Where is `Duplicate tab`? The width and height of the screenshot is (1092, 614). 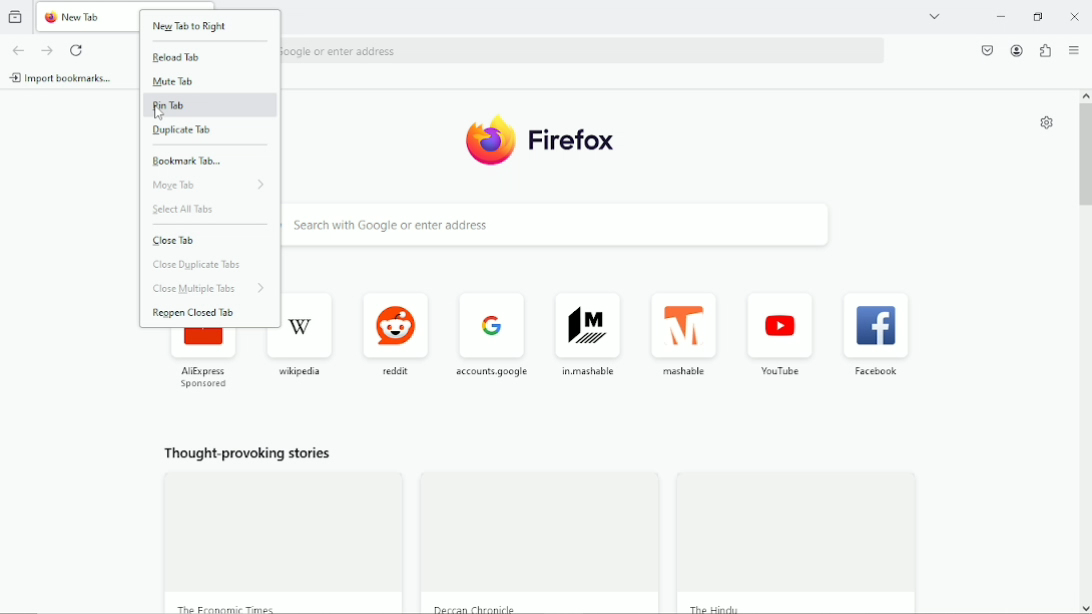
Duplicate tab is located at coordinates (185, 133).